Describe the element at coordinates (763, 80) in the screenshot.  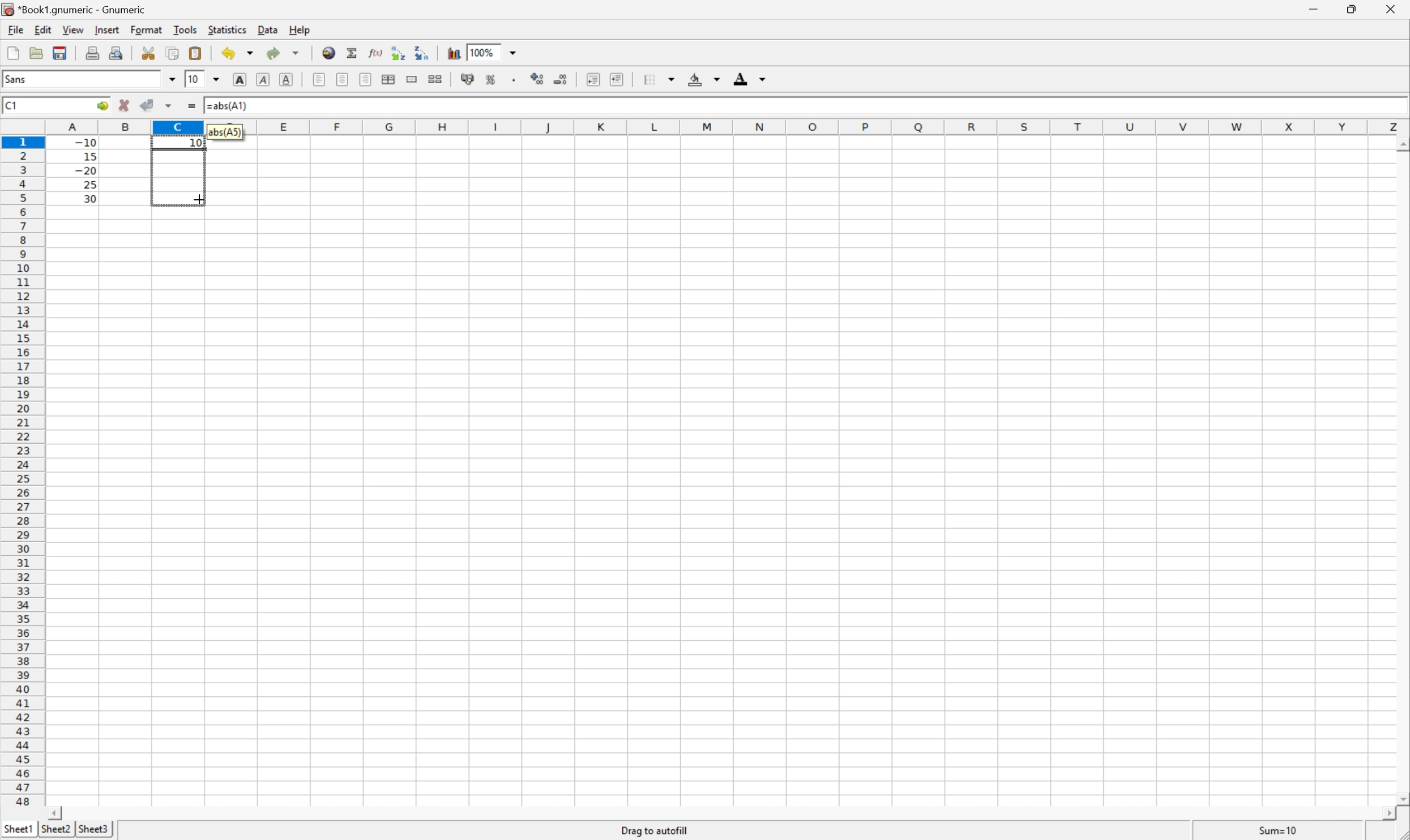
I see `Dorp Down` at that location.